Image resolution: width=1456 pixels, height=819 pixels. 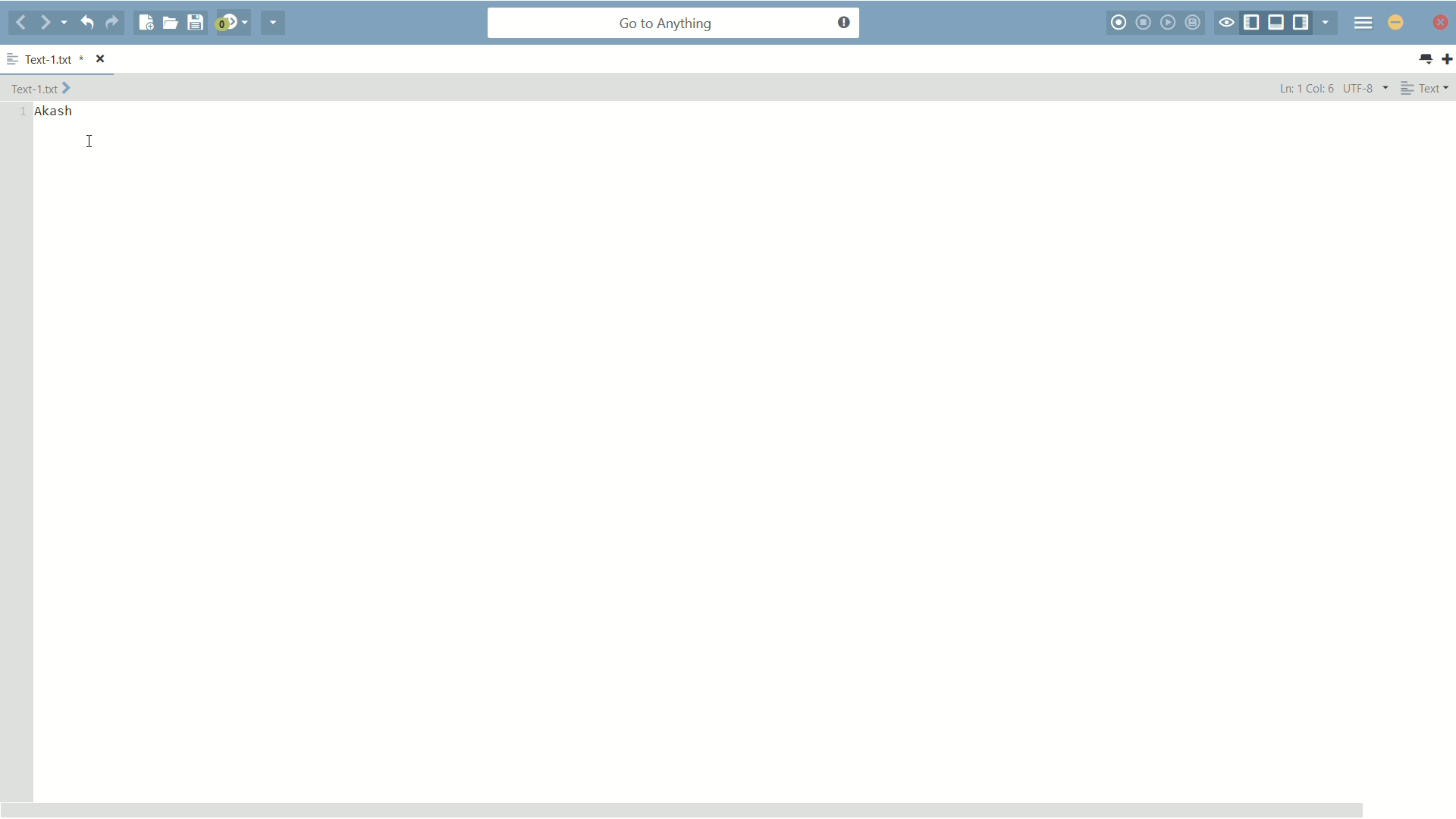 I want to click on stop macro, so click(x=1144, y=23).